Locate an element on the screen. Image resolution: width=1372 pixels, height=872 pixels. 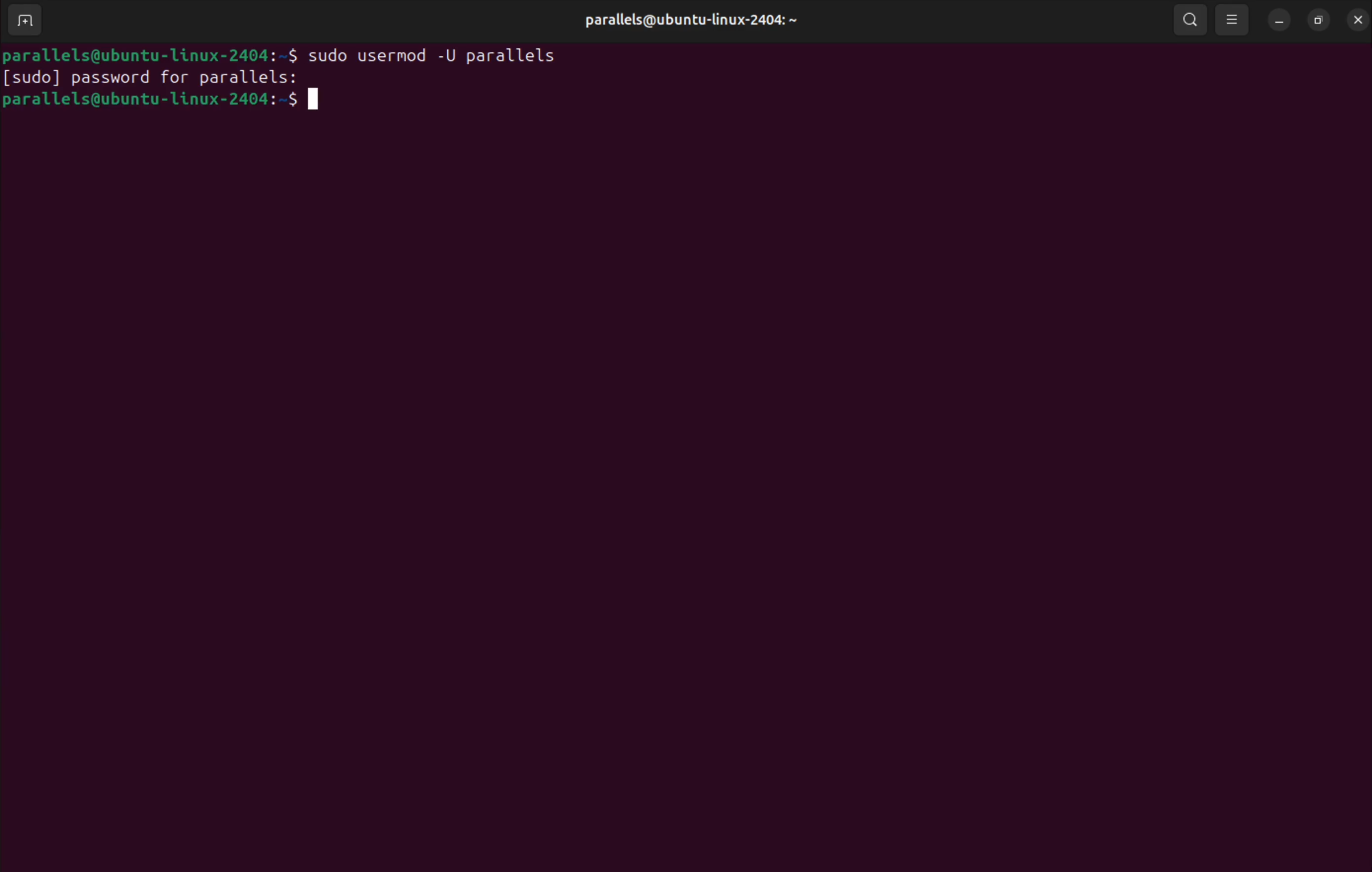
add terminal window is located at coordinates (30, 21).